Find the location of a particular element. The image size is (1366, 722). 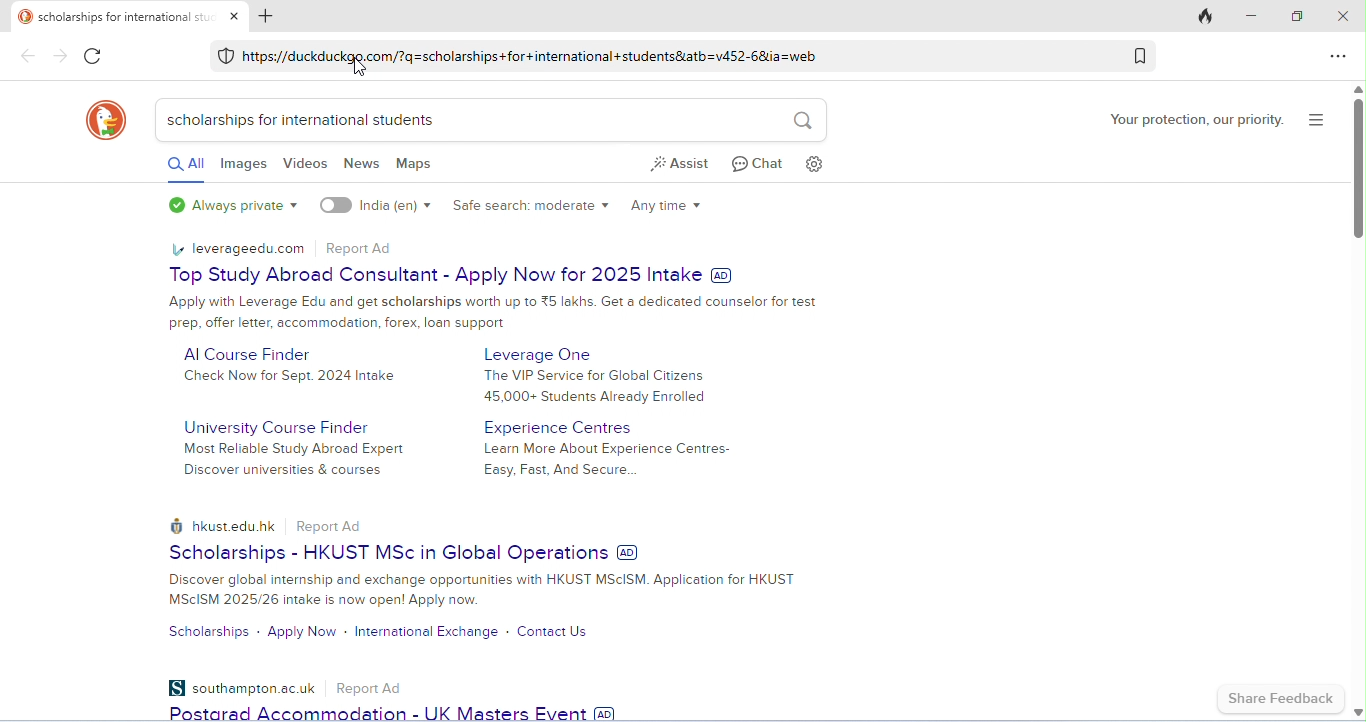

Check Now for Sept. 2024 Intake is located at coordinates (295, 378).